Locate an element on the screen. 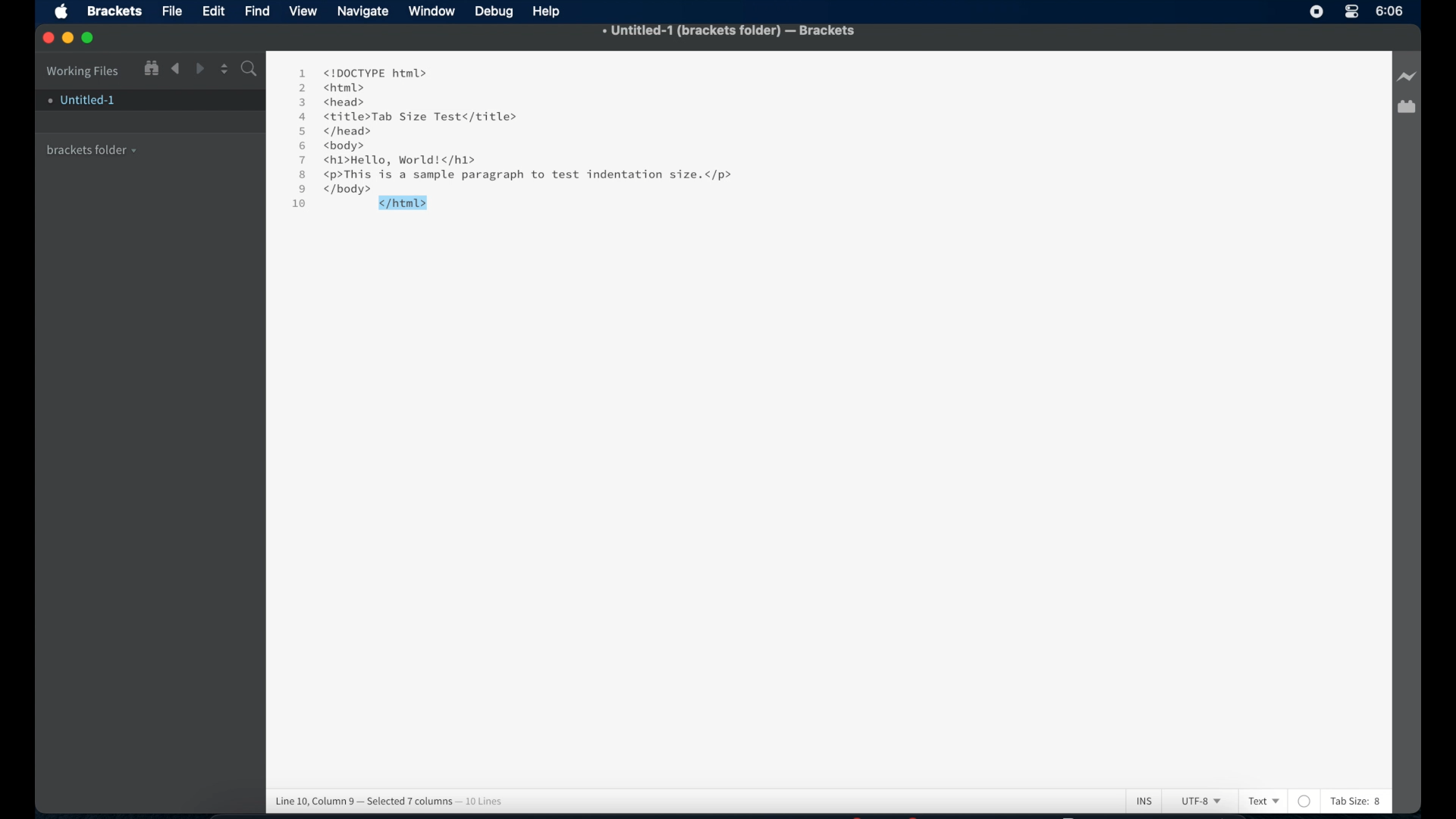 This screenshot has width=1456, height=819. Stop is located at coordinates (1316, 11).